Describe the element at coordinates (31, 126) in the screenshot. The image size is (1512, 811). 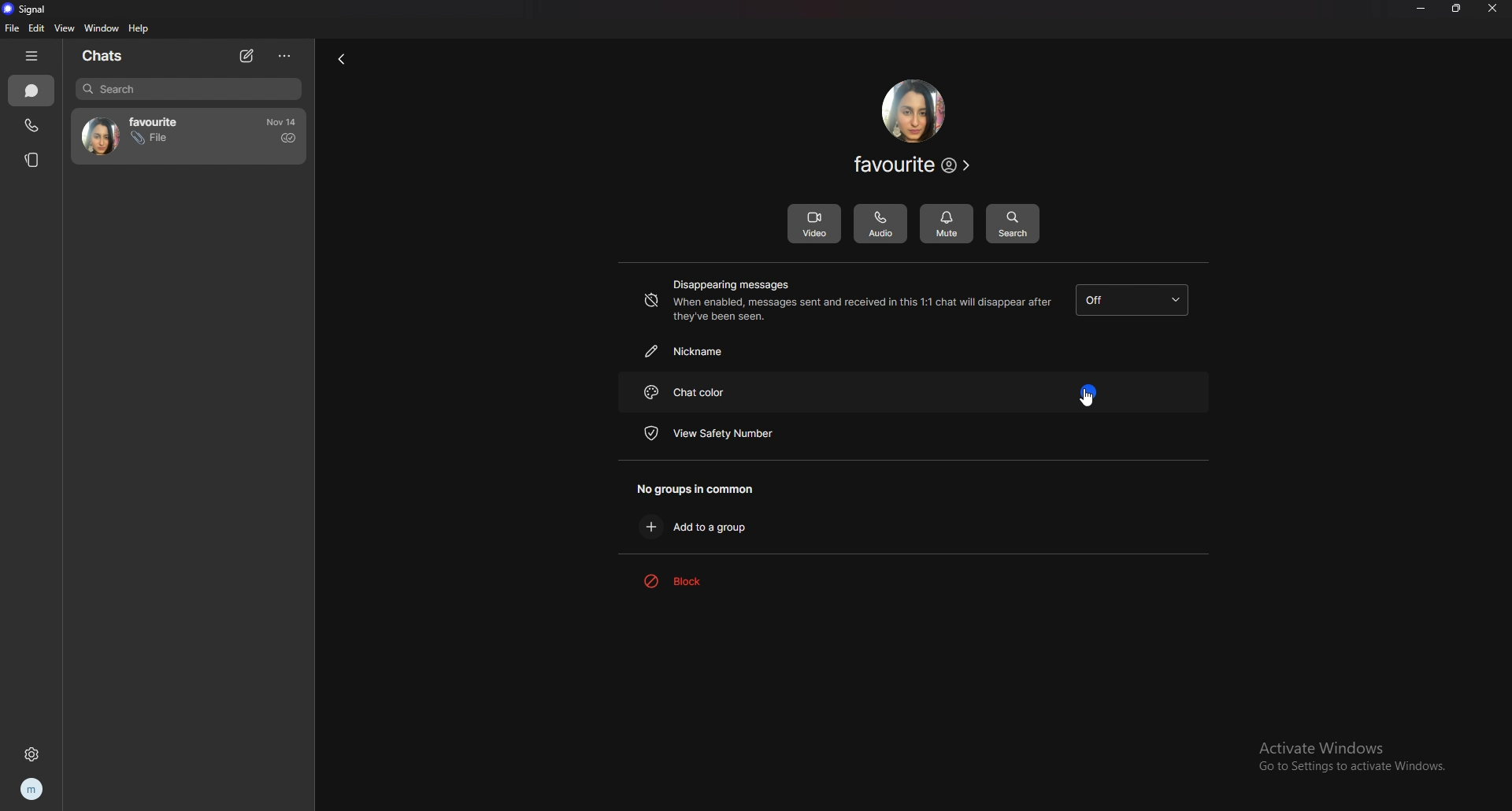
I see `calls` at that location.